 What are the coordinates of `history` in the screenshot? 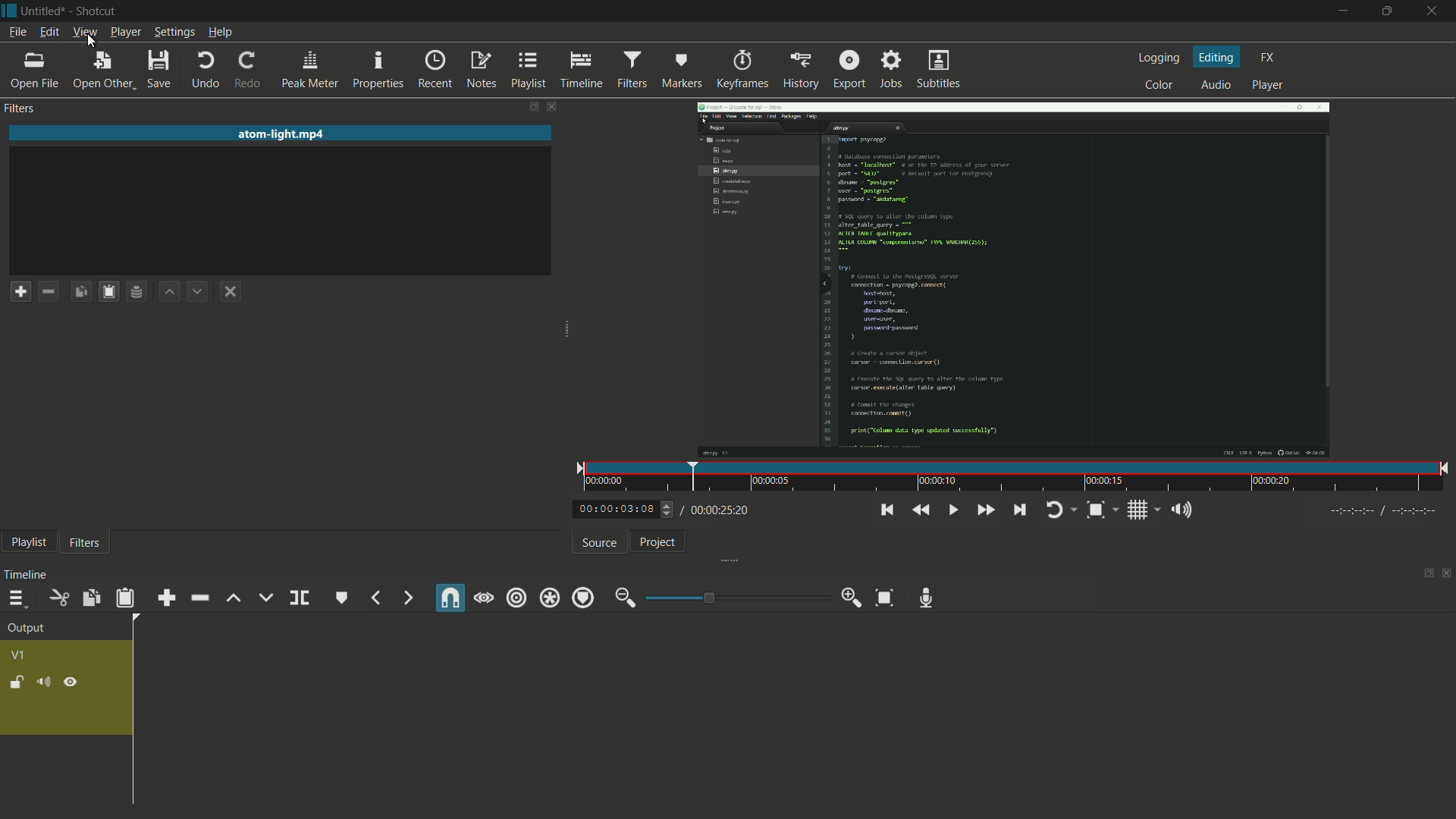 It's located at (799, 70).